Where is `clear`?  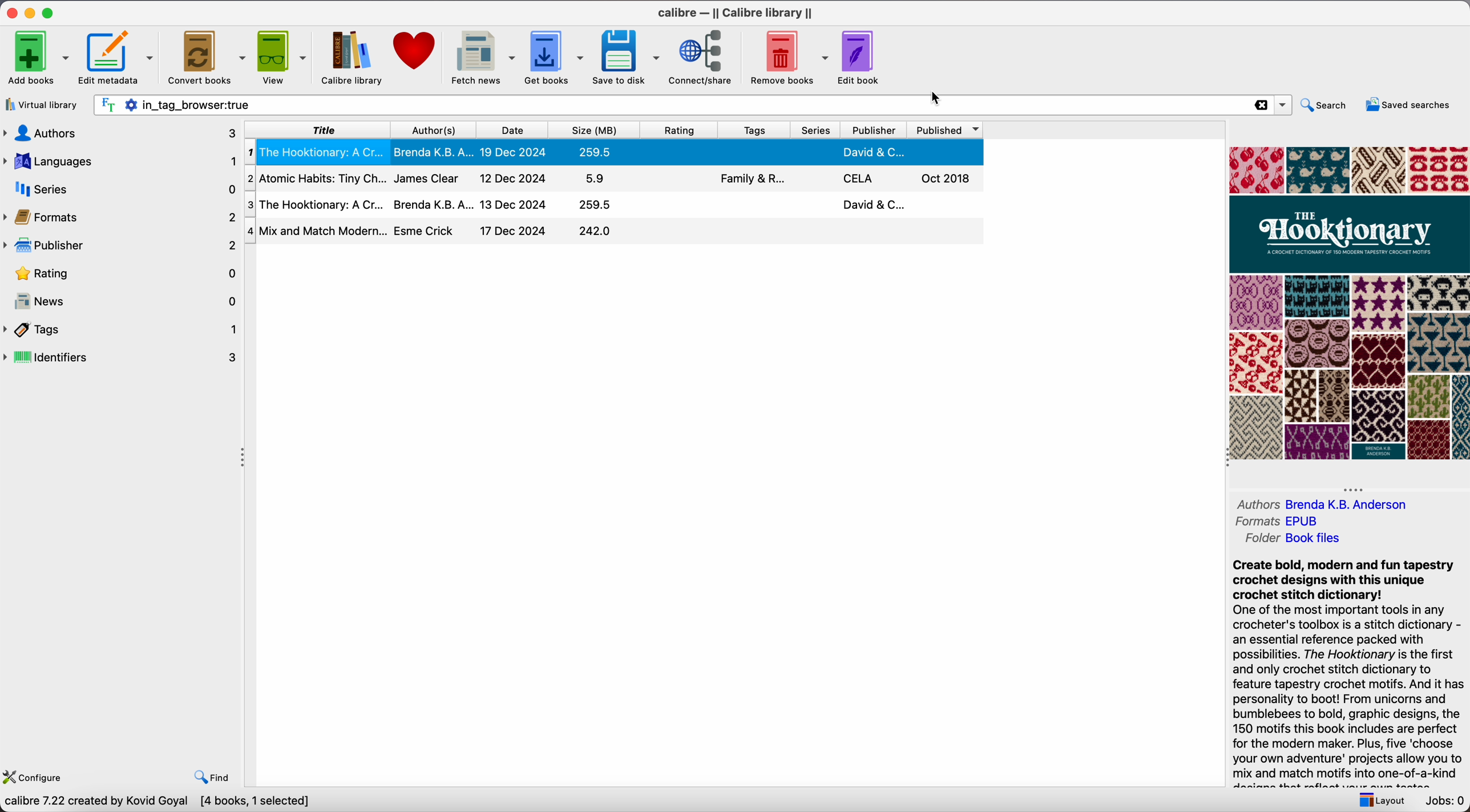
clear is located at coordinates (1261, 105).